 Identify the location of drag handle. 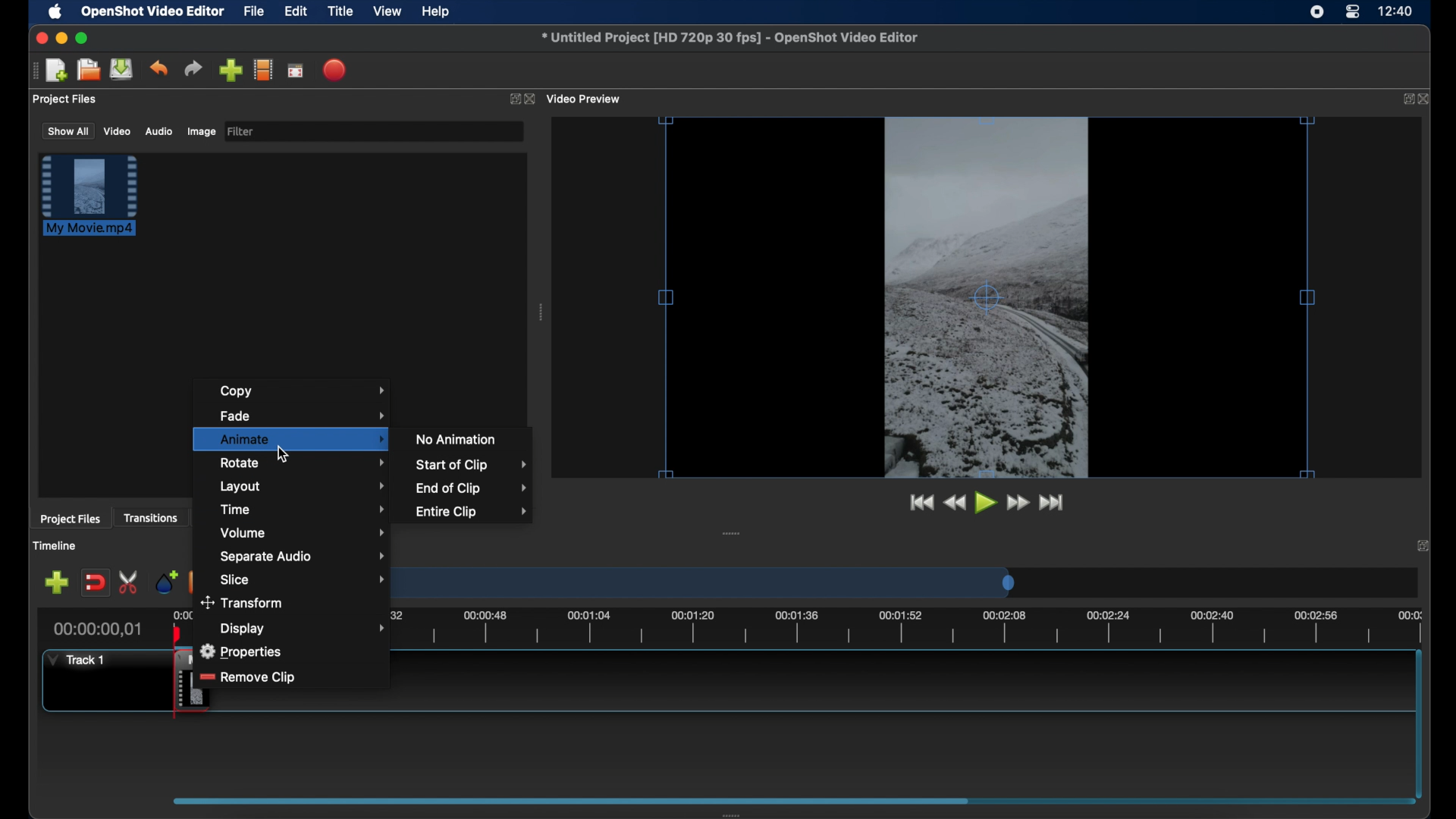
(541, 314).